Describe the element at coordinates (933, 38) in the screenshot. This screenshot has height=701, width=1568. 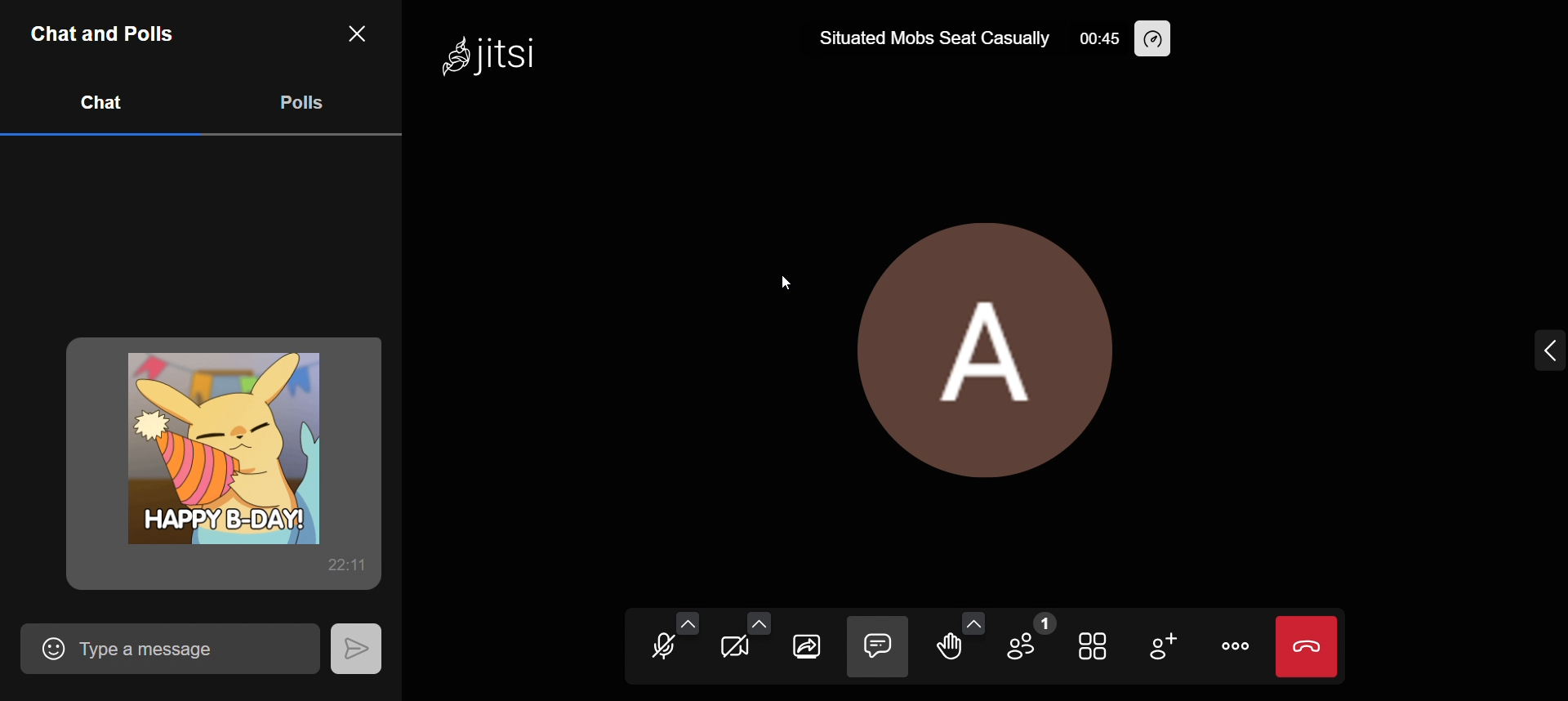
I see `Situated Mobs Seat Casually` at that location.